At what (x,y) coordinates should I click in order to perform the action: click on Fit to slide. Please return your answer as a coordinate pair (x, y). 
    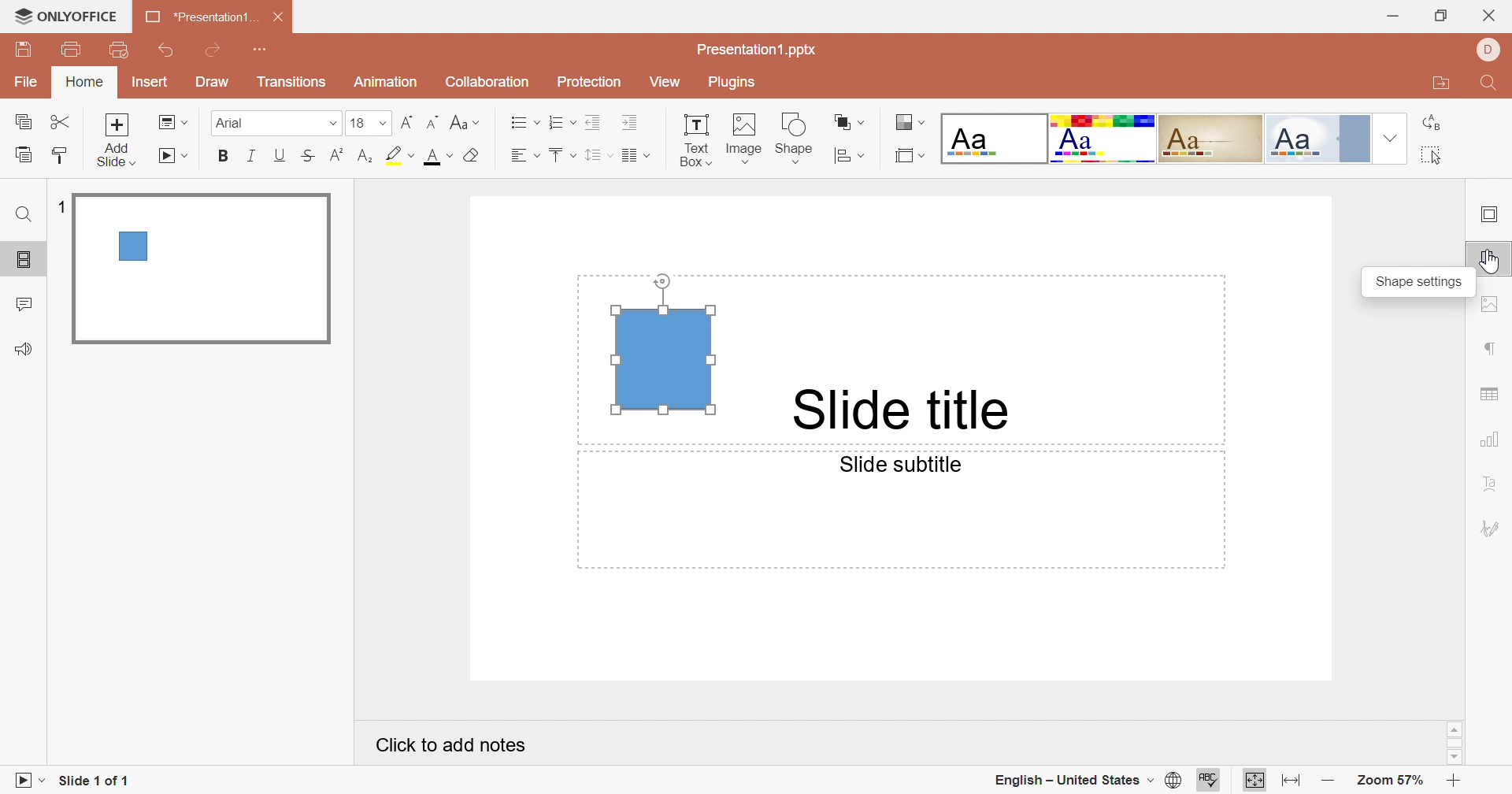
    Looking at the image, I should click on (1254, 780).